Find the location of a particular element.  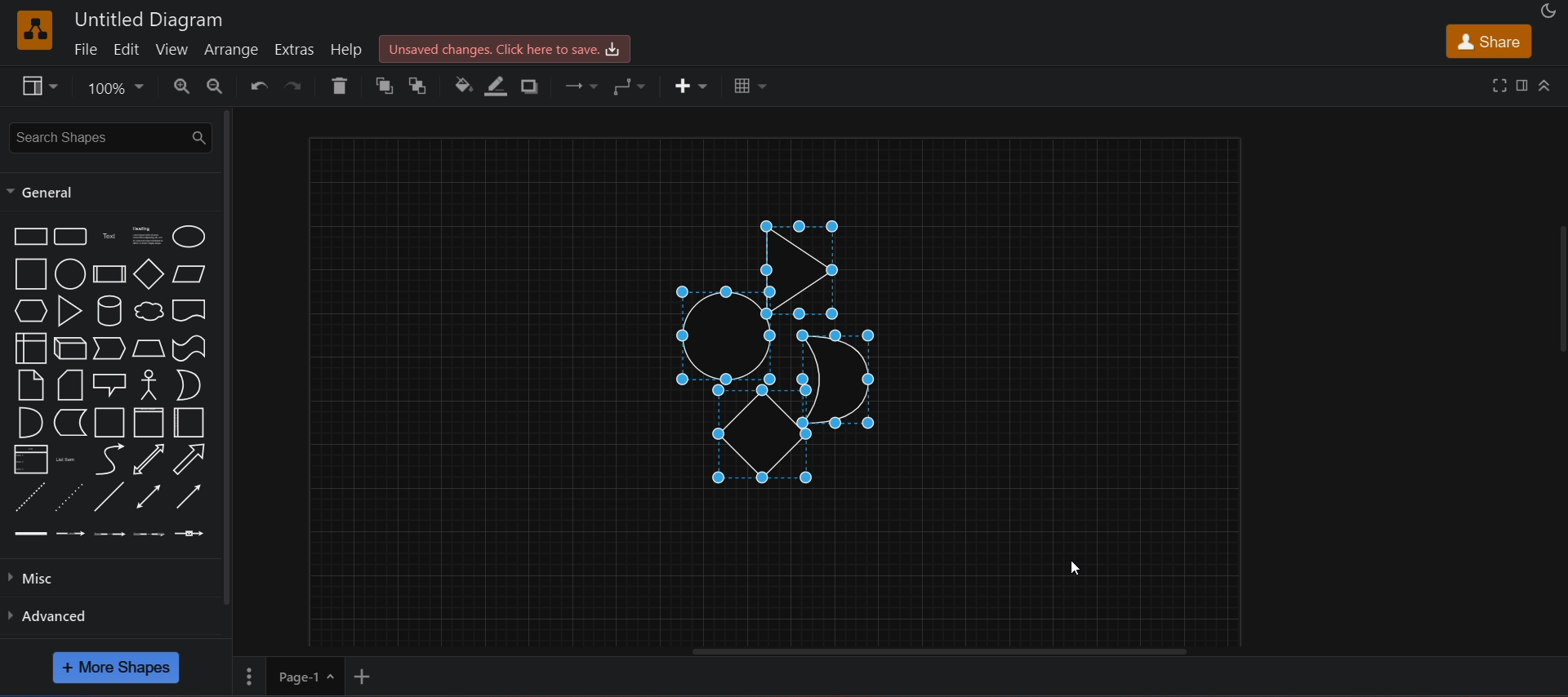

share is located at coordinates (1488, 41).